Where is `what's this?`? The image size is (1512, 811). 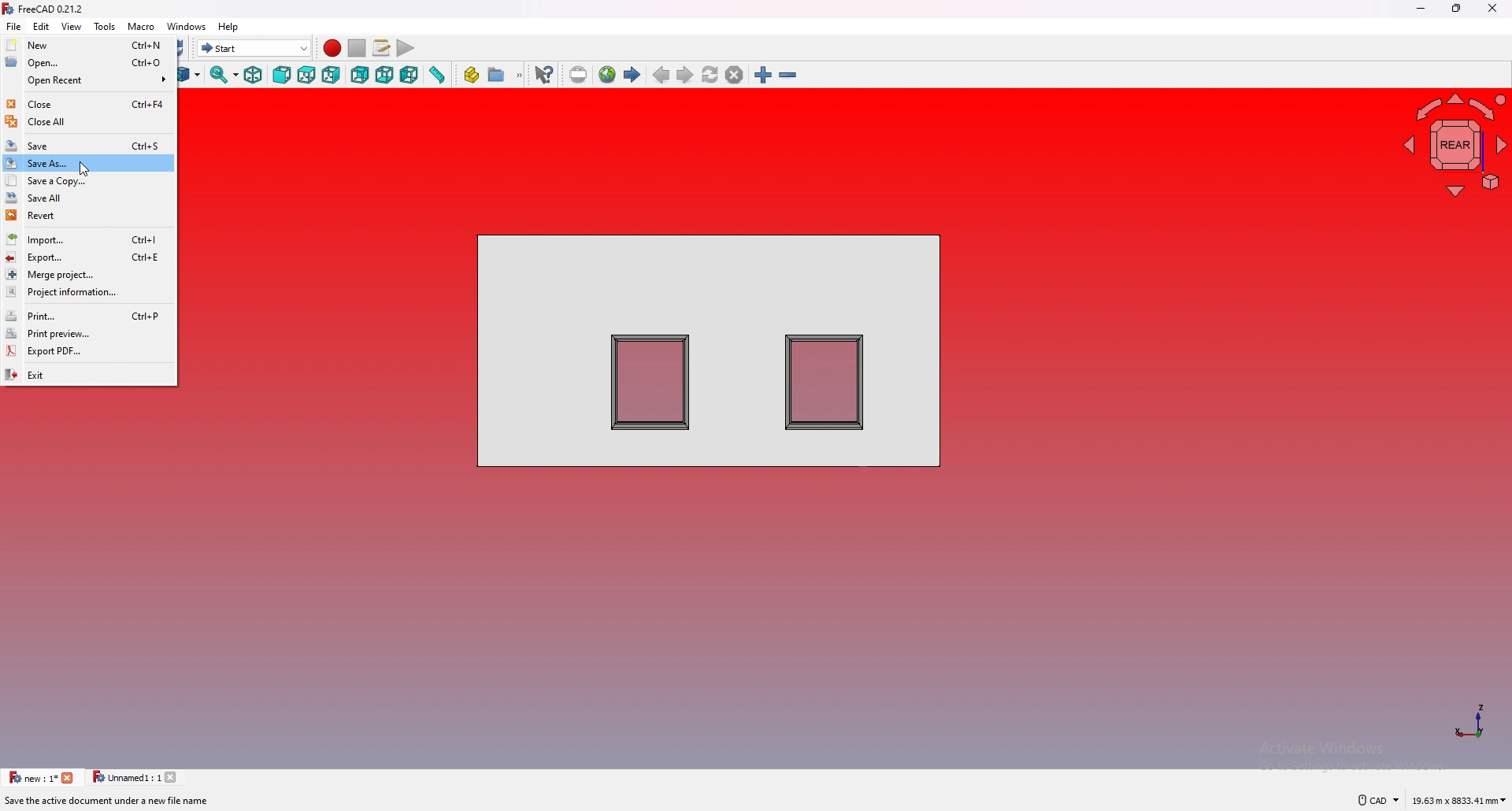 what's this? is located at coordinates (543, 74).